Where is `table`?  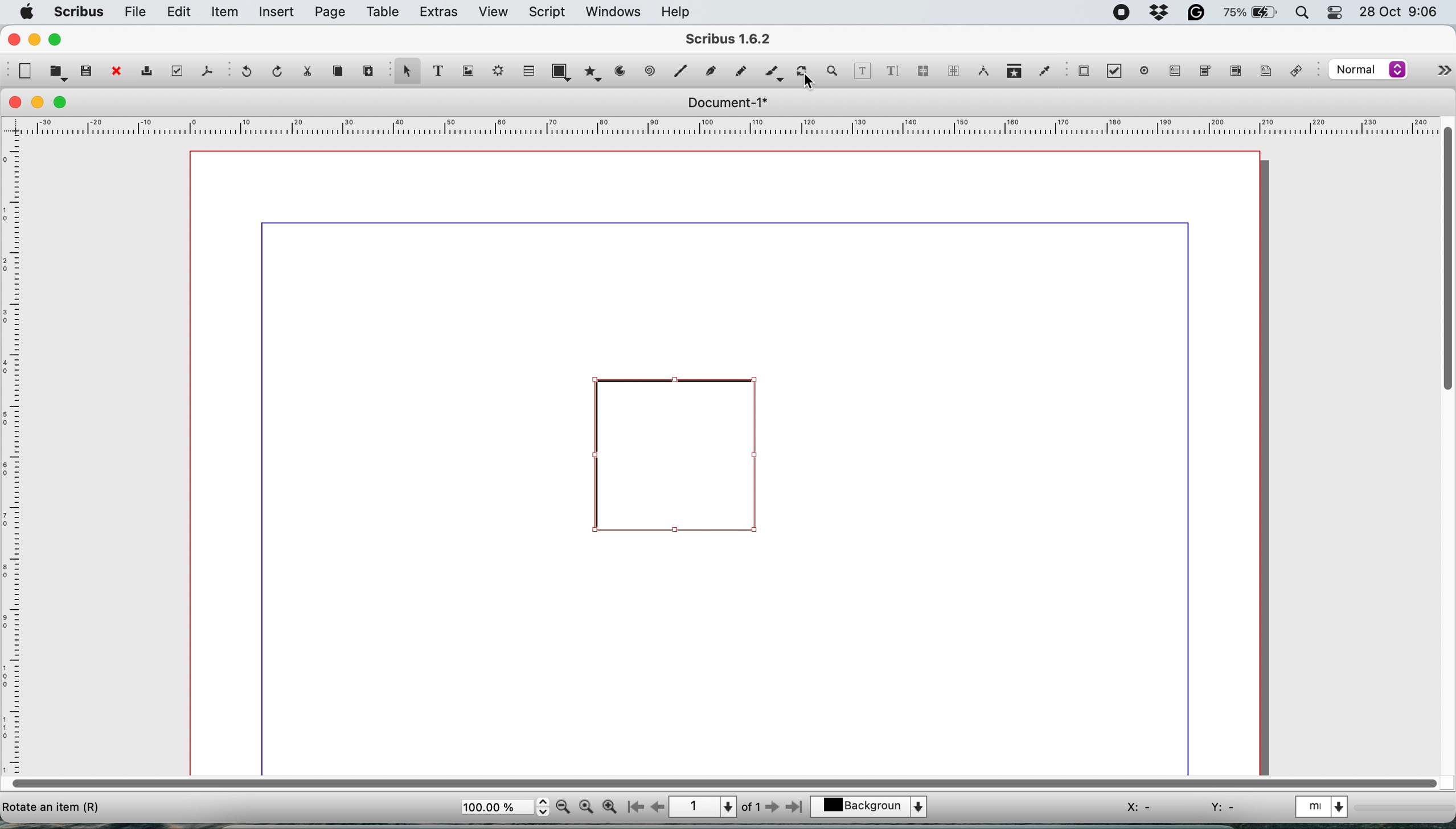 table is located at coordinates (384, 14).